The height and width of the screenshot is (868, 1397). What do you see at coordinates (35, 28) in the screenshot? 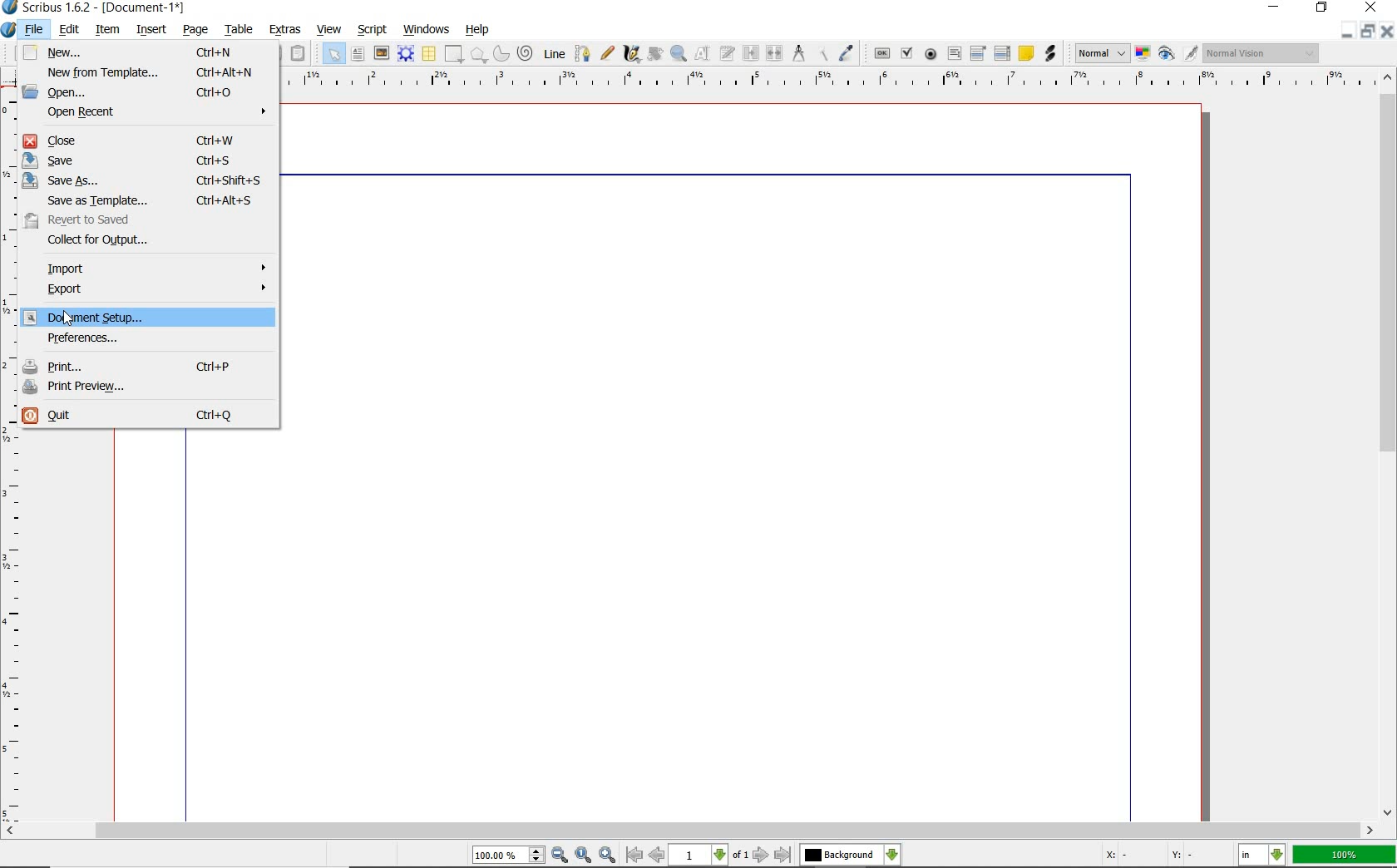
I see `file` at bounding box center [35, 28].